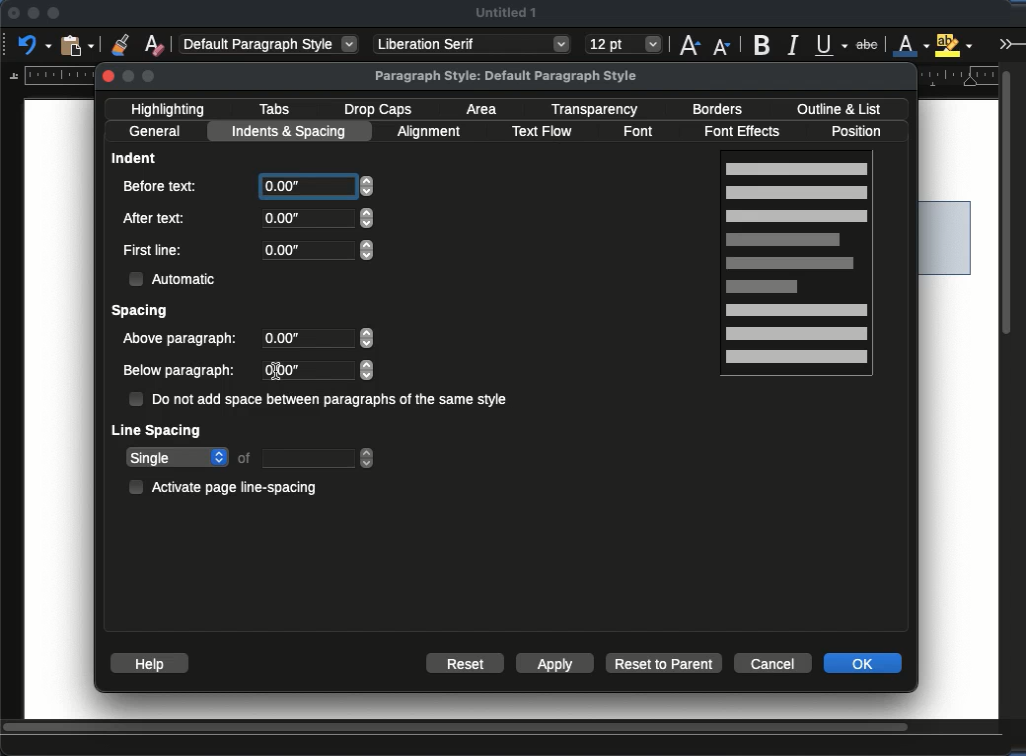 Image resolution: width=1026 pixels, height=756 pixels. Describe the element at coordinates (148, 663) in the screenshot. I see `help` at that location.